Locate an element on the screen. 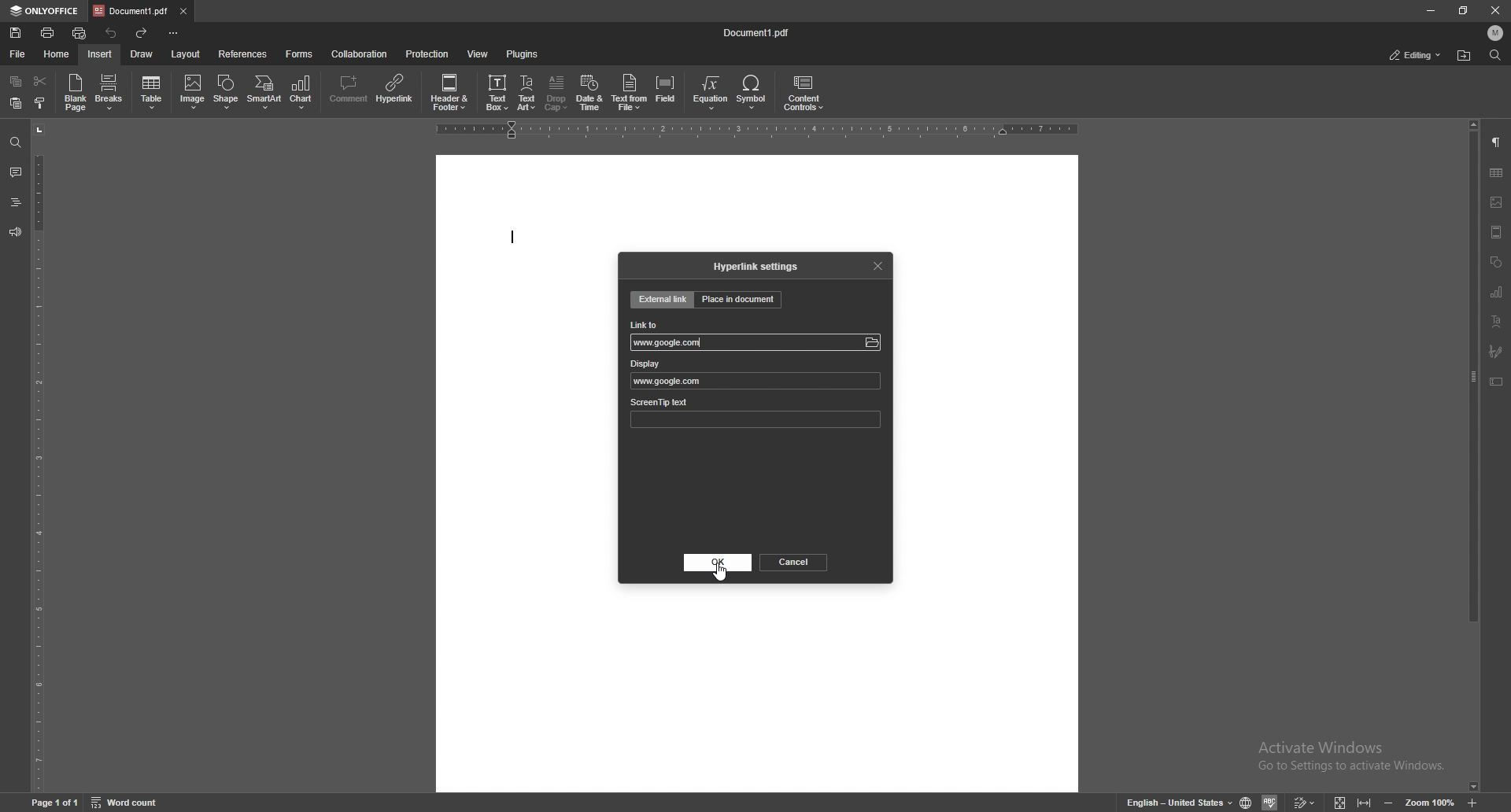 The width and height of the screenshot is (1511, 812). close tab is located at coordinates (183, 12).